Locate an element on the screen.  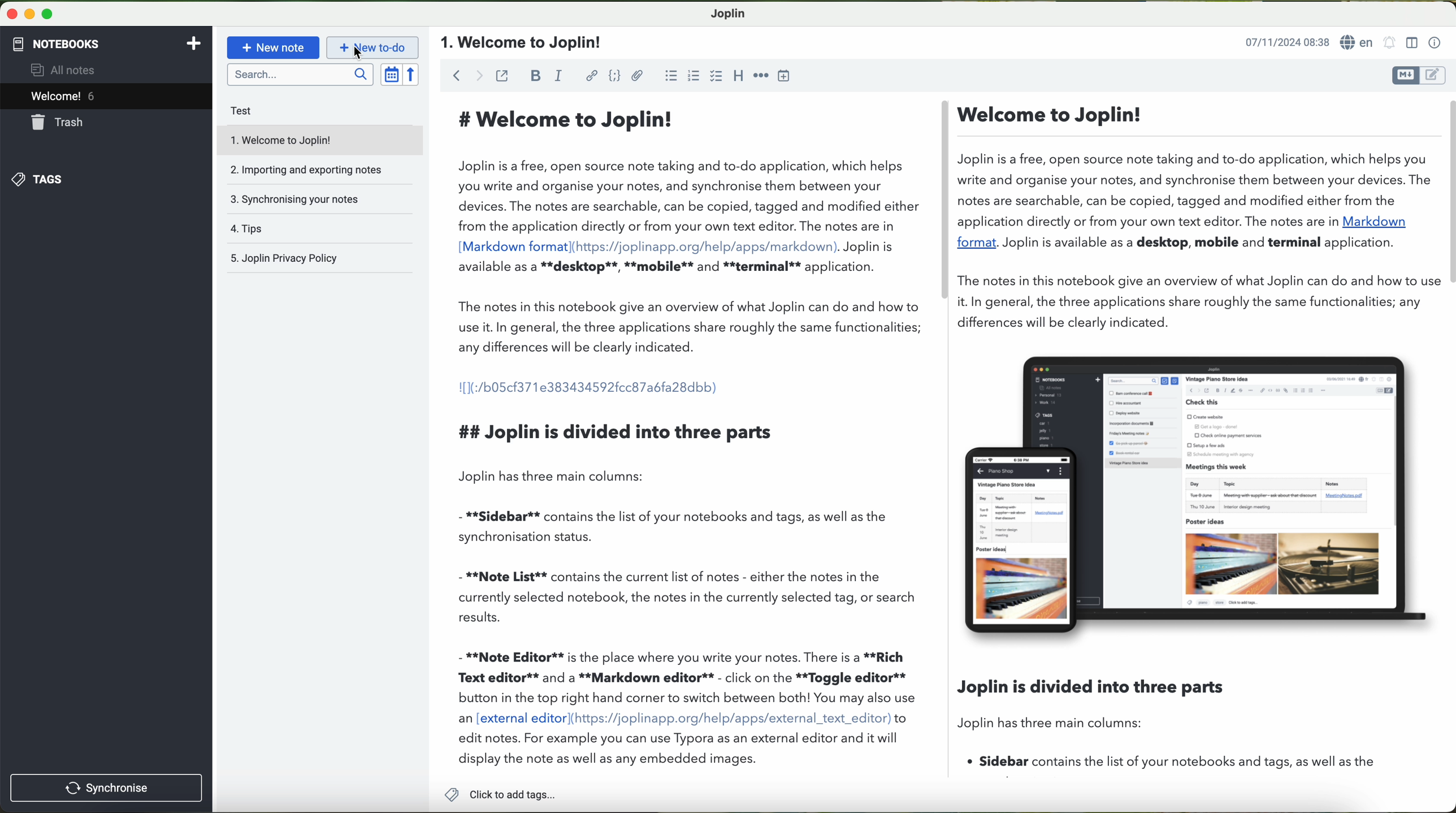
trash is located at coordinates (62, 123).